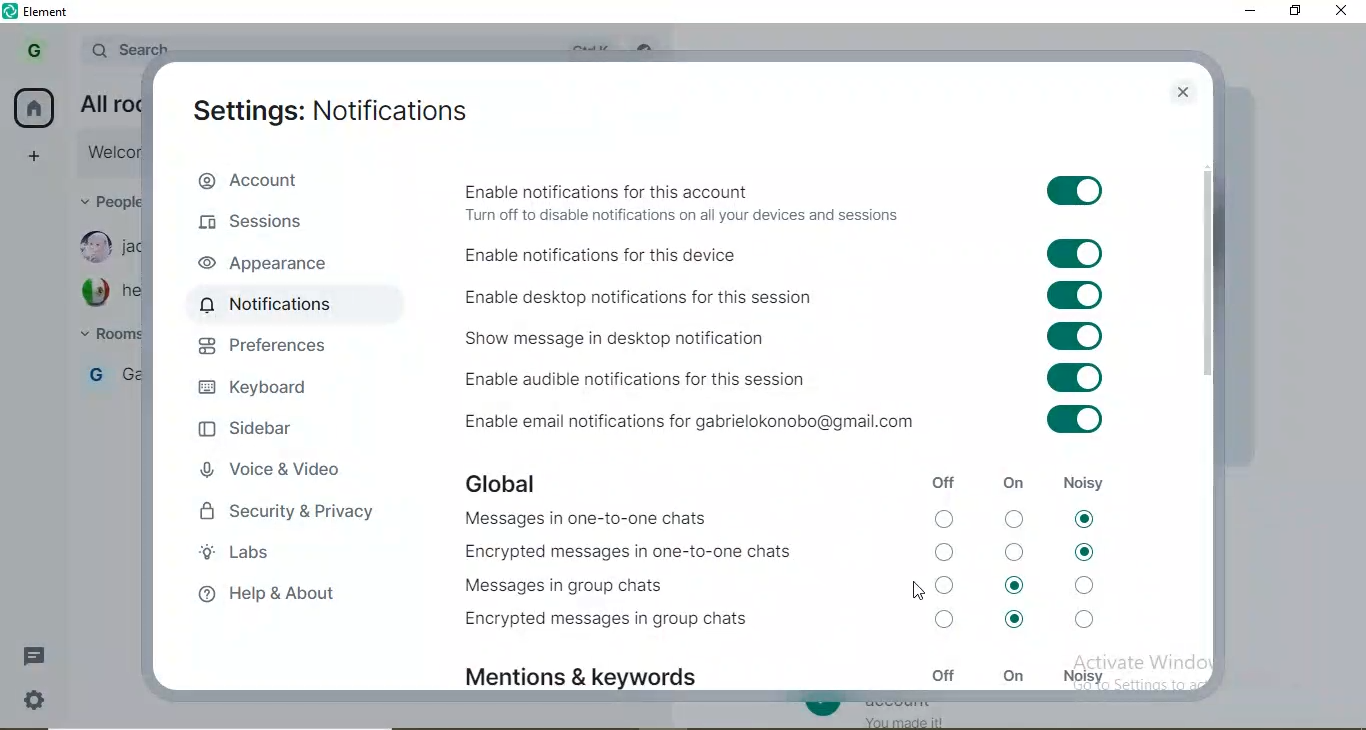 This screenshot has height=730, width=1366. Describe the element at coordinates (32, 107) in the screenshot. I see `home` at that location.